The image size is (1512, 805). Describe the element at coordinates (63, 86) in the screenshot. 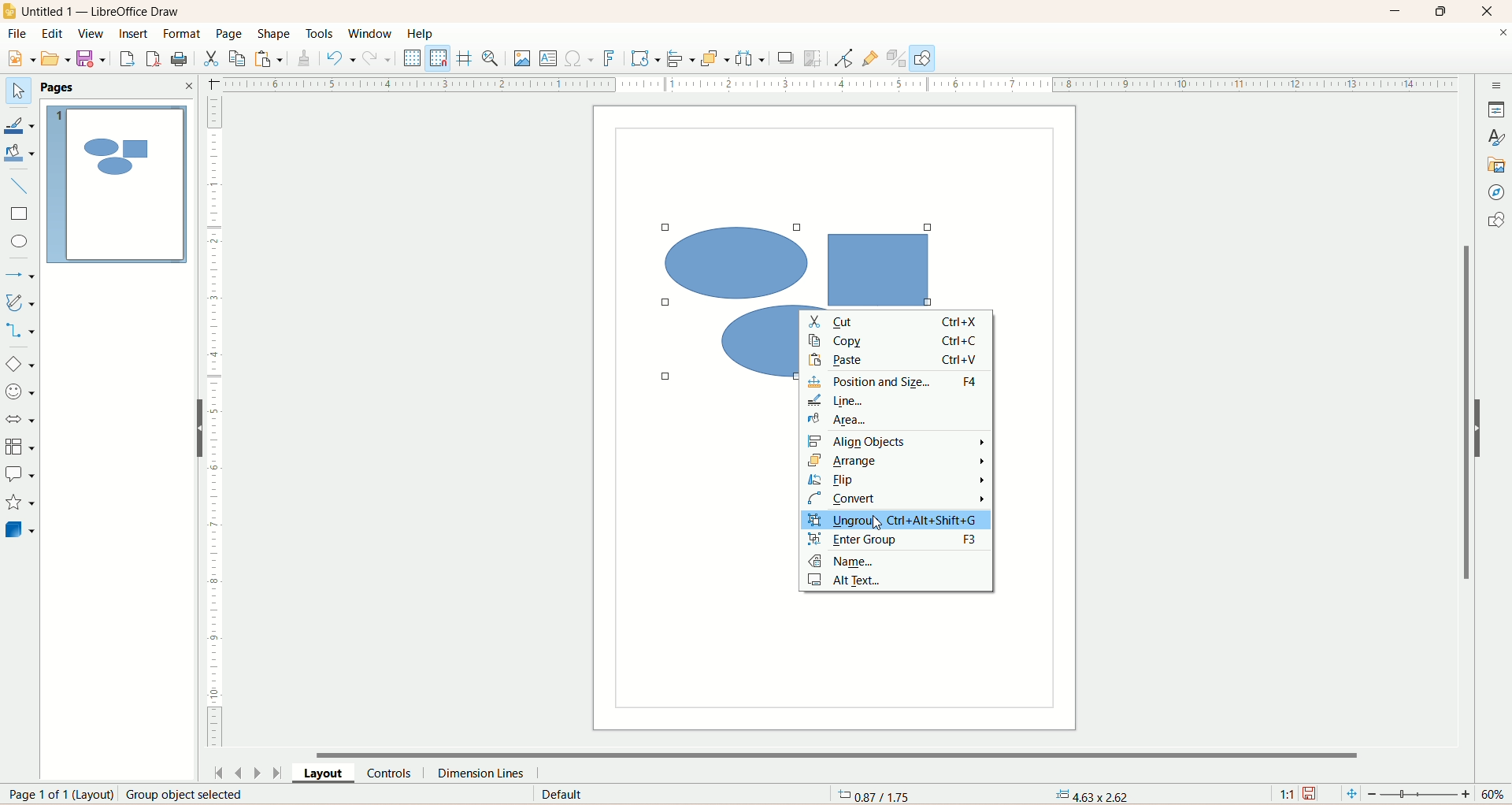

I see `pages` at that location.